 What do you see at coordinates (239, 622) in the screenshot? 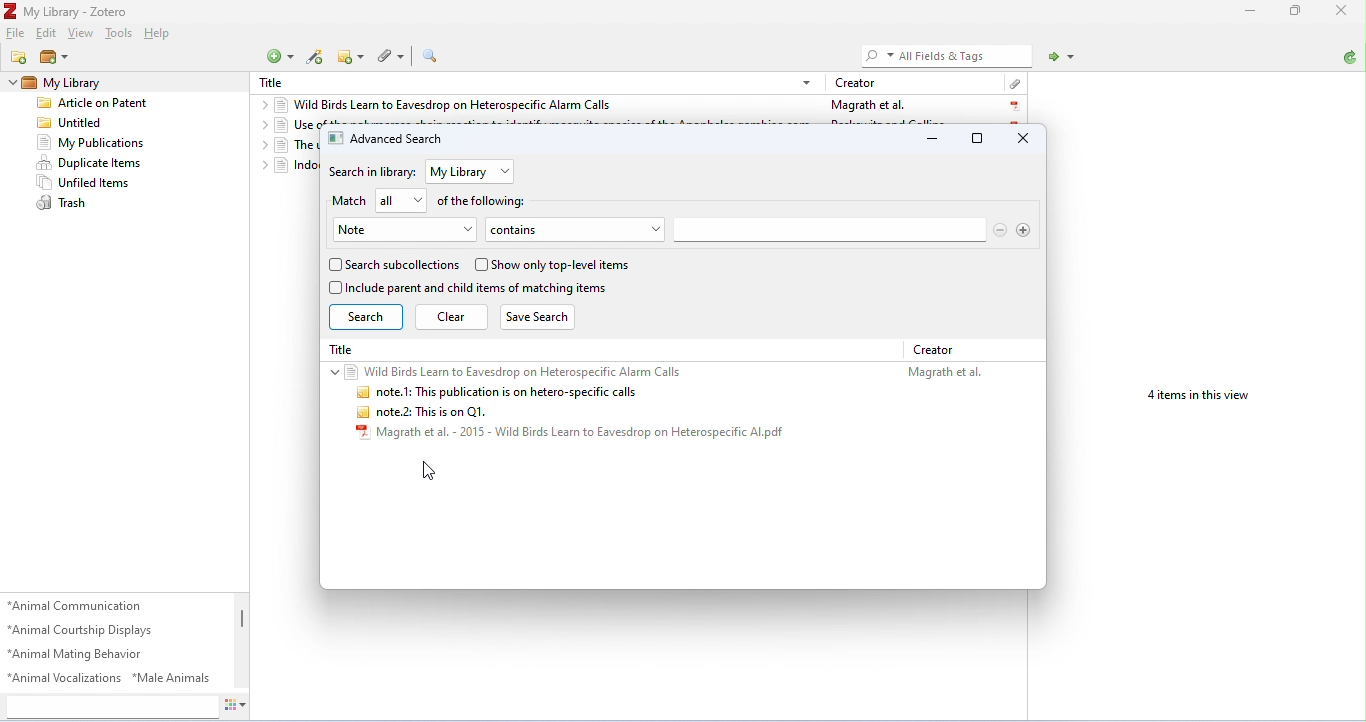
I see `vertical scroll bar` at bounding box center [239, 622].